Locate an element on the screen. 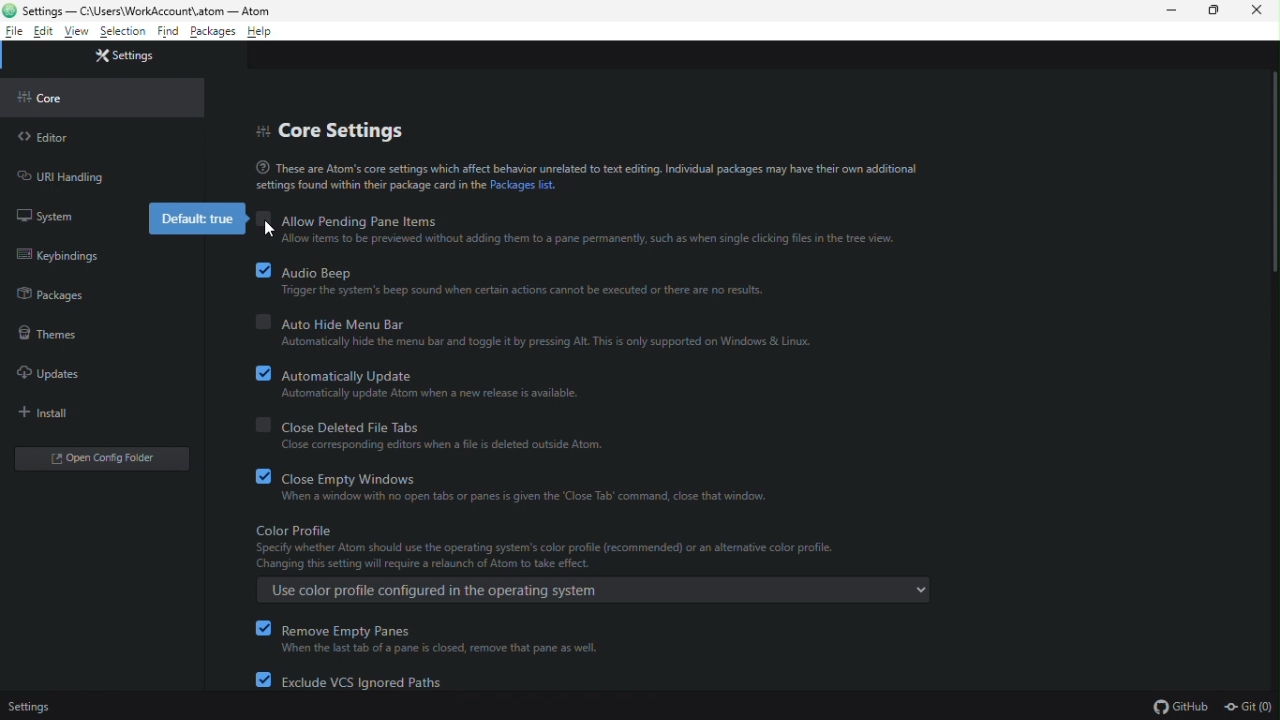 The width and height of the screenshot is (1280, 720). help is located at coordinates (266, 31).